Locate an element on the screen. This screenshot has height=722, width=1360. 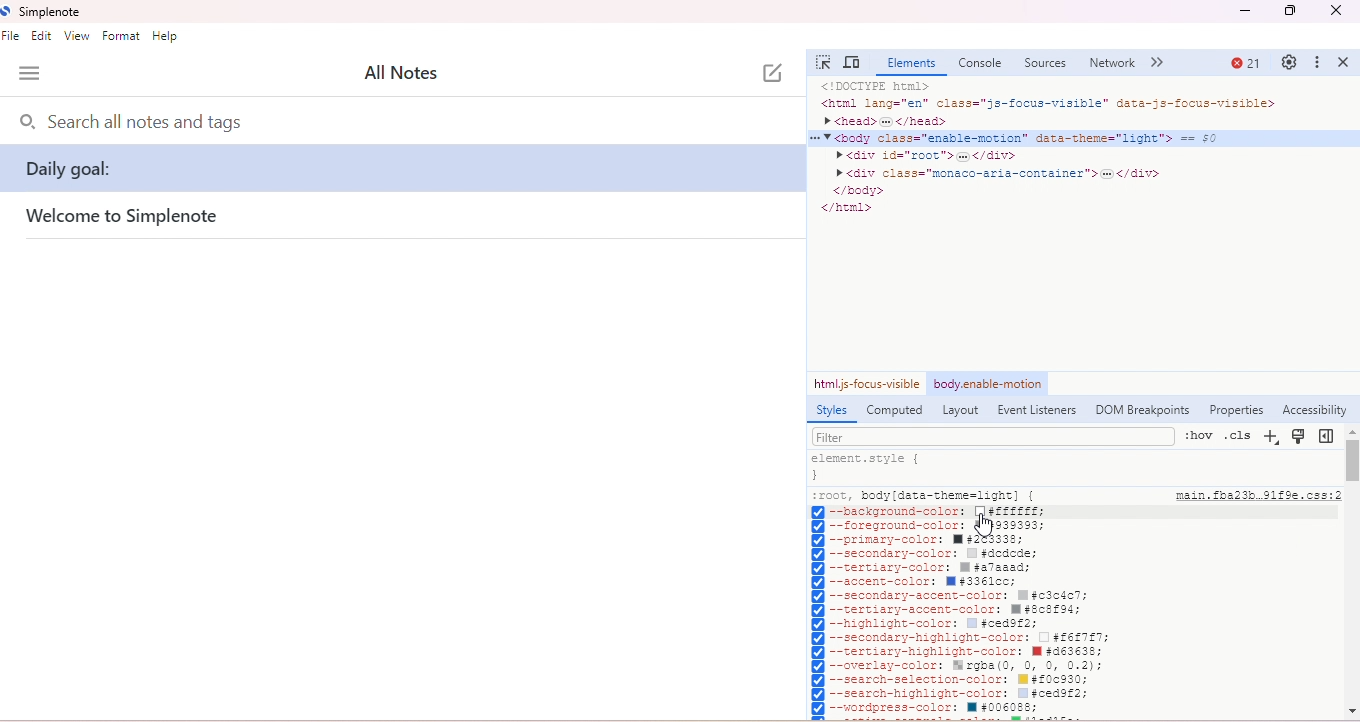
overlay-color is located at coordinates (958, 666).